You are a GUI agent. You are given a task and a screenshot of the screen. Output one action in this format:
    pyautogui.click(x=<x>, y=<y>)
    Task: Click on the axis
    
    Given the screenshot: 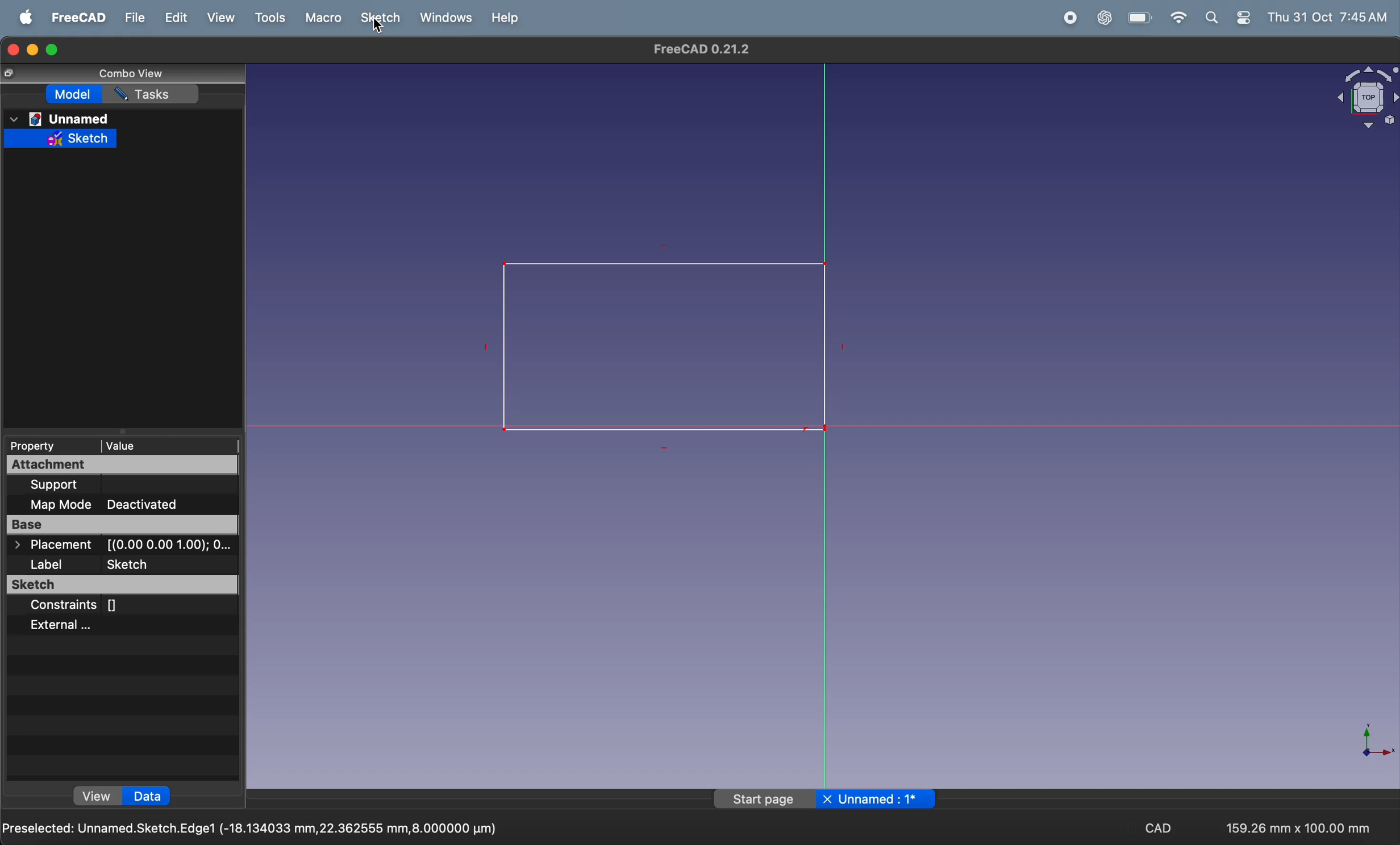 What is the action you would take?
    pyautogui.click(x=1370, y=746)
    